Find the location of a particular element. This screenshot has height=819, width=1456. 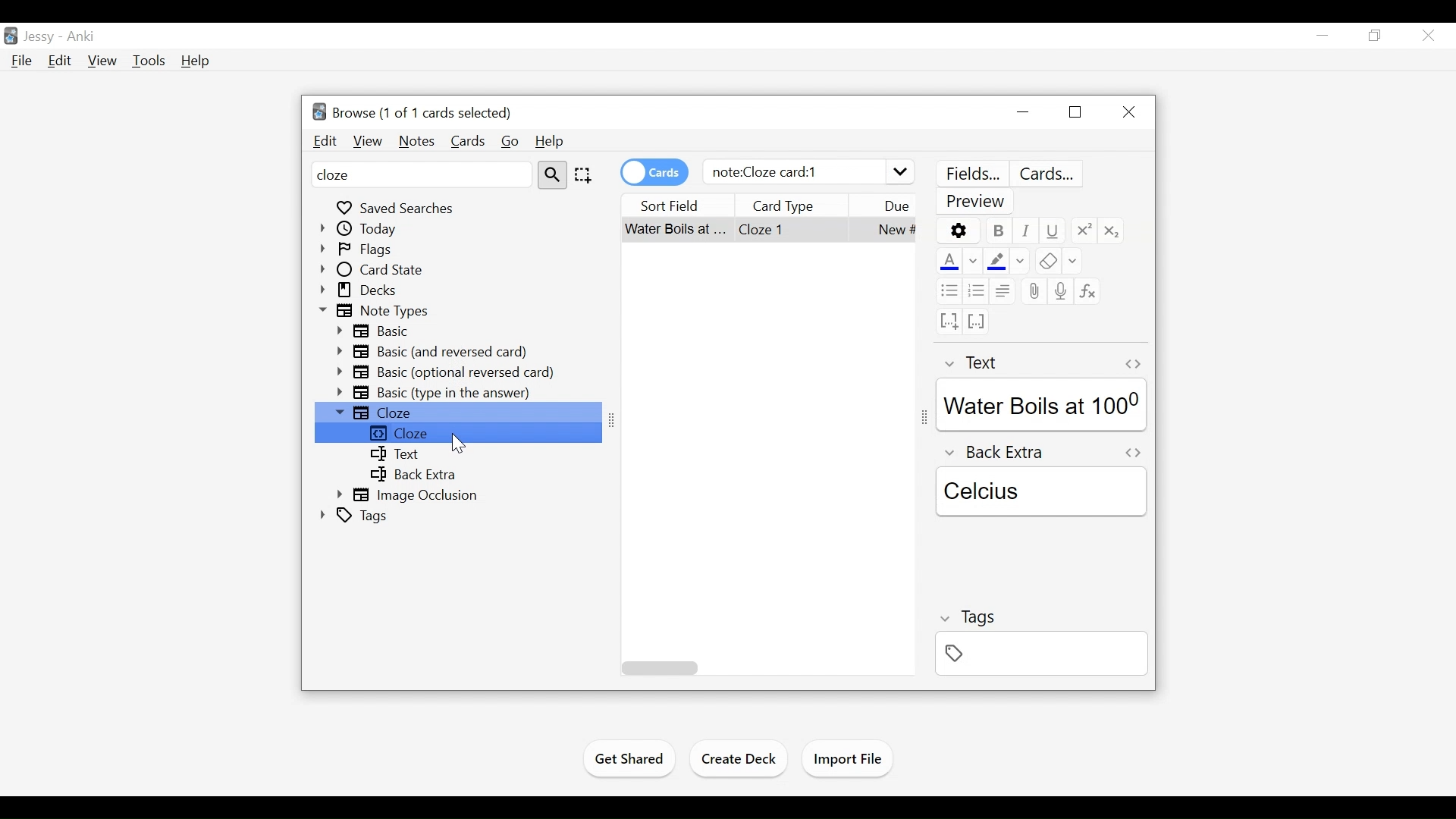

Help is located at coordinates (194, 61).